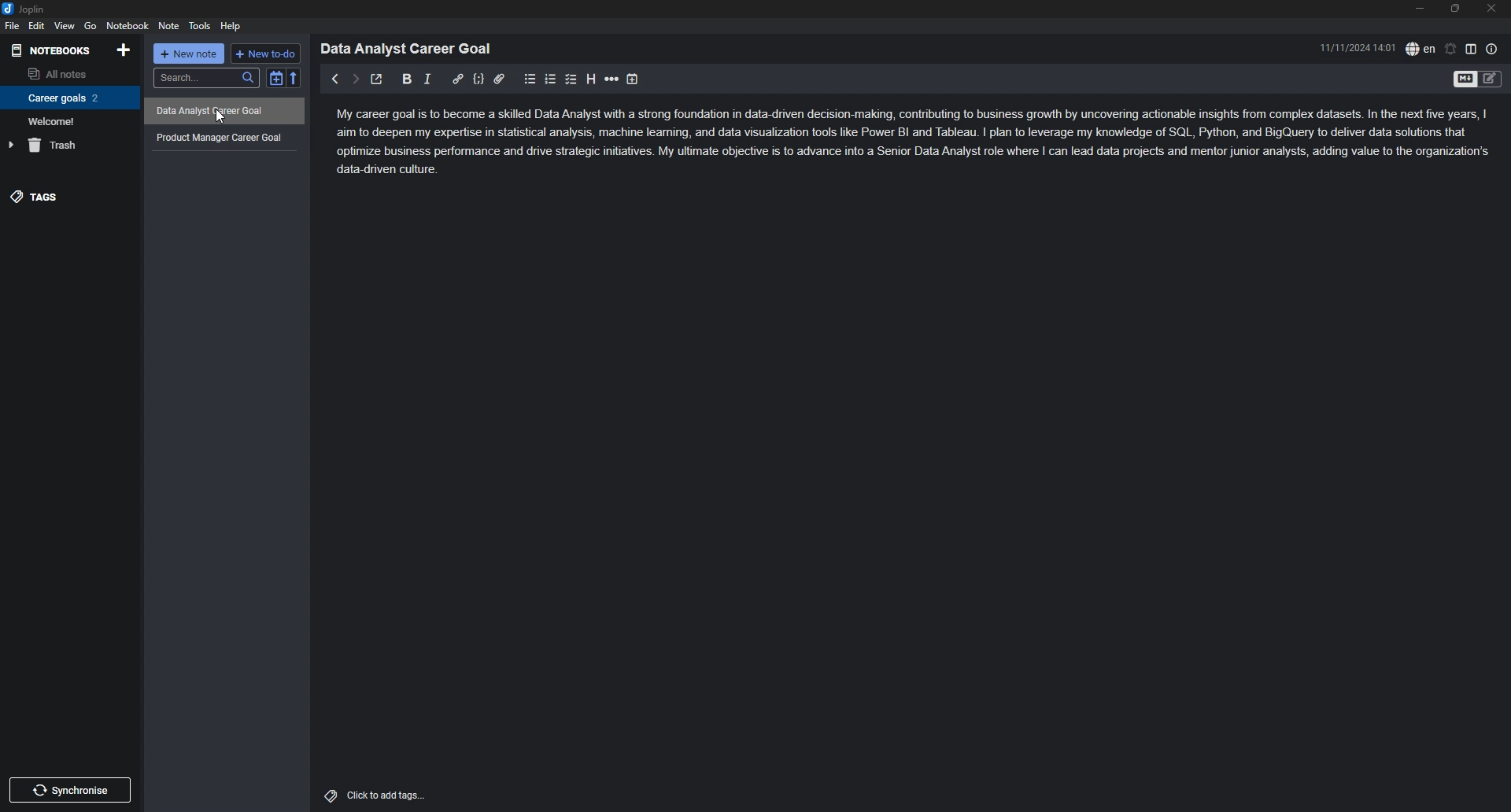 This screenshot has height=812, width=1511. I want to click on Product Manager Career Goal, so click(225, 137).